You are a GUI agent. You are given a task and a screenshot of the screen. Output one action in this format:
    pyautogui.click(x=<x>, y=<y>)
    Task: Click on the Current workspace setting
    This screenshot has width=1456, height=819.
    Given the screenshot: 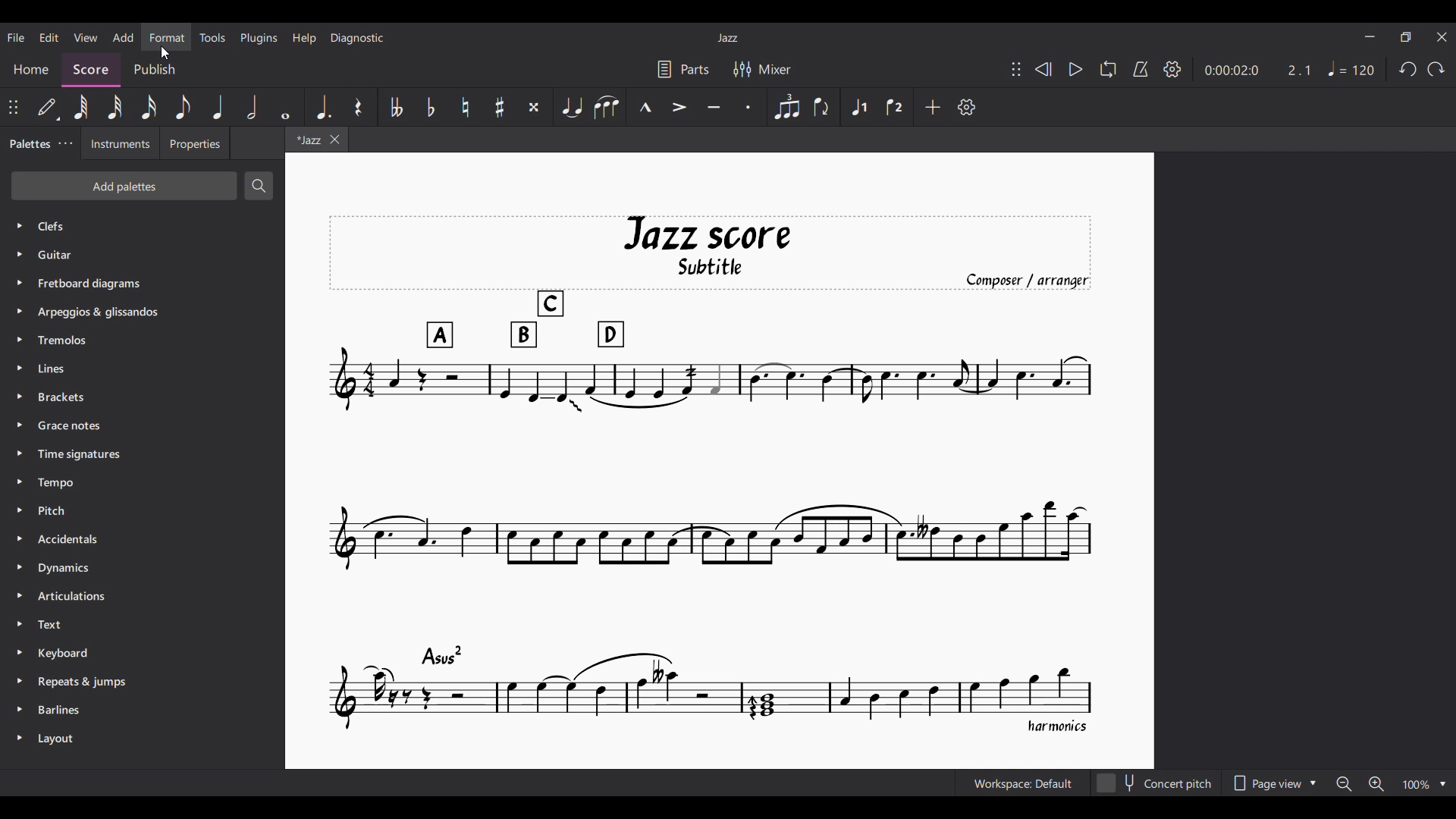 What is the action you would take?
    pyautogui.click(x=1023, y=783)
    